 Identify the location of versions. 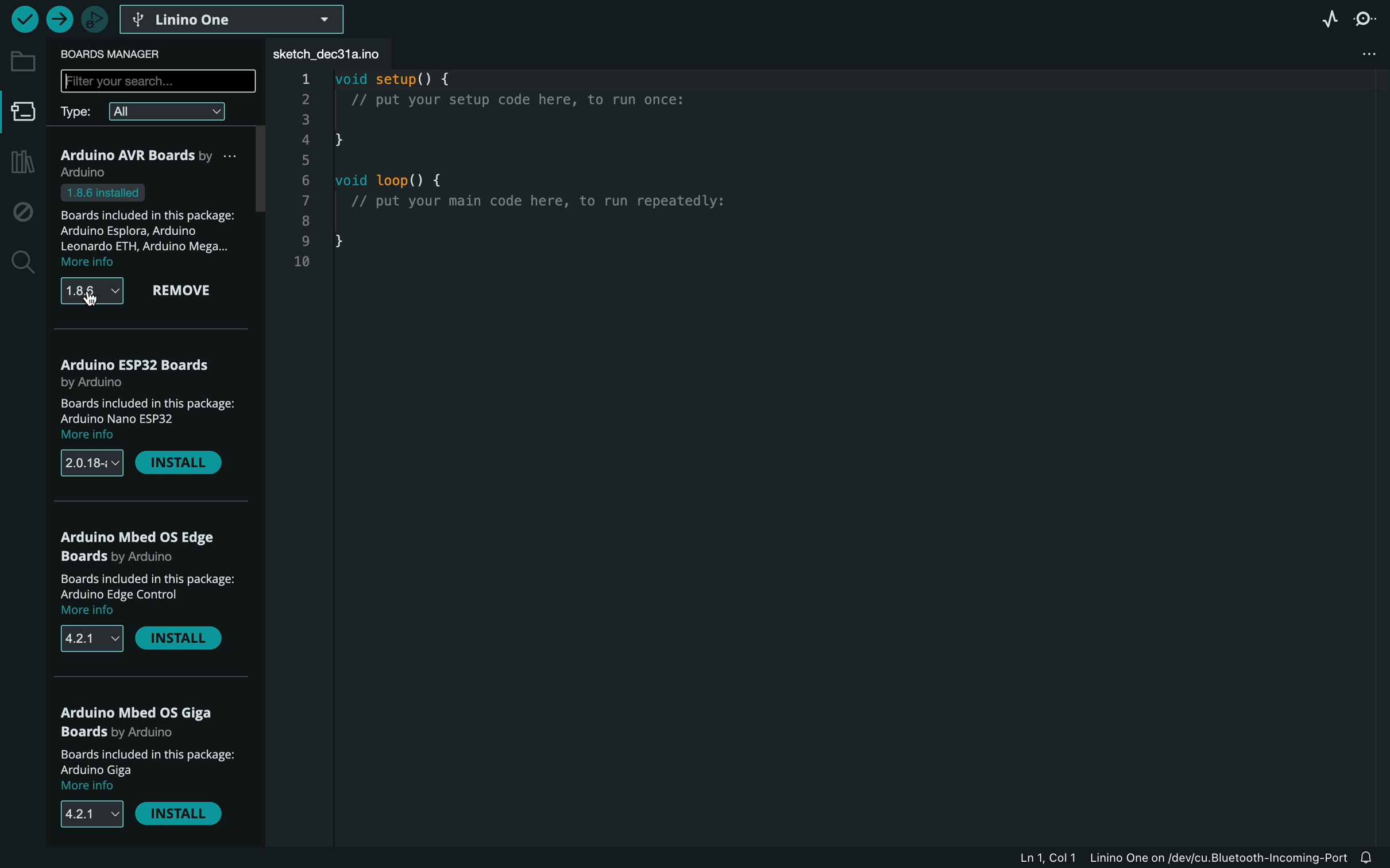
(90, 638).